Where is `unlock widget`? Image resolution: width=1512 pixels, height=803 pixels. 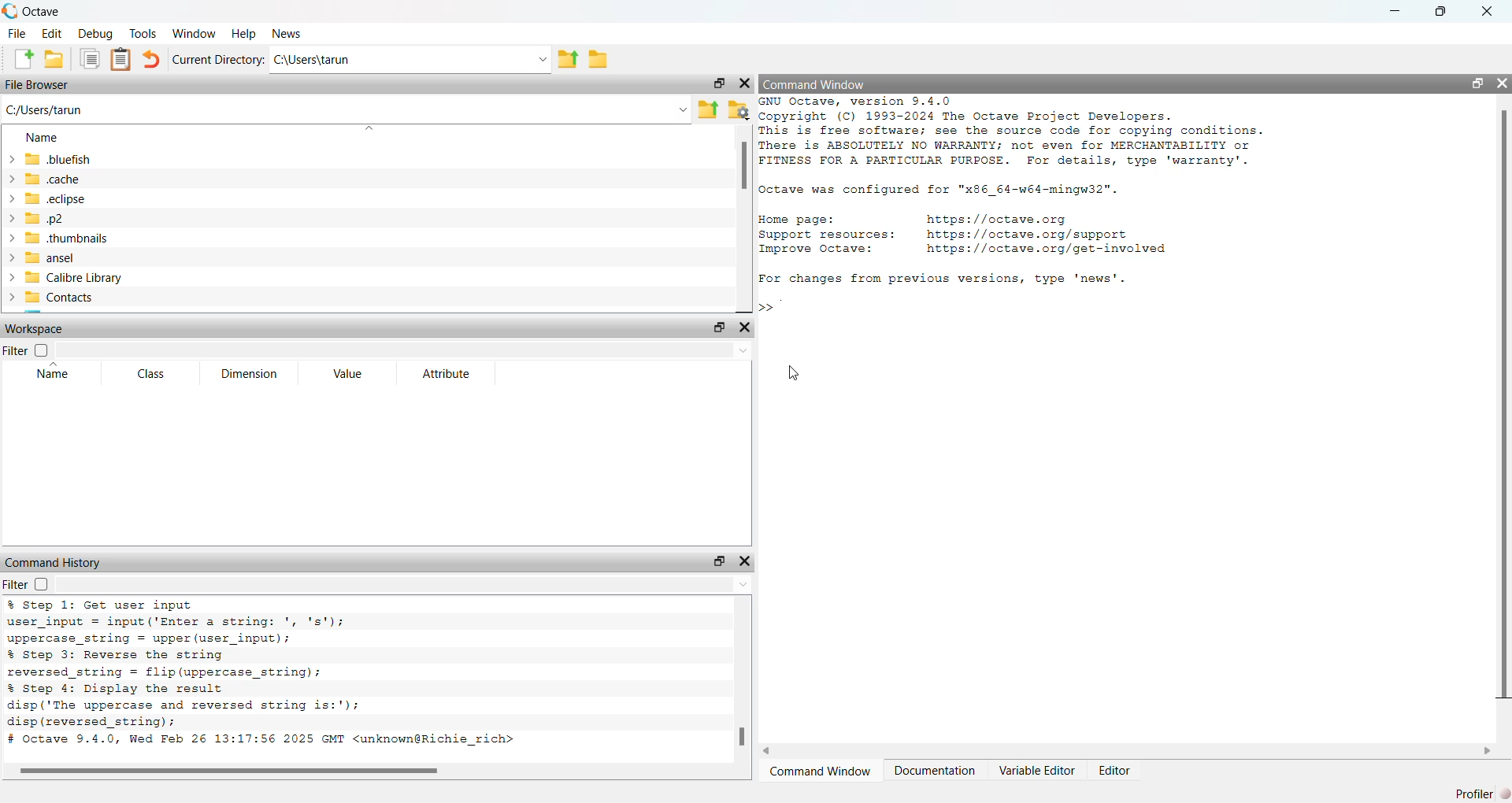
unlock widget is located at coordinates (716, 82).